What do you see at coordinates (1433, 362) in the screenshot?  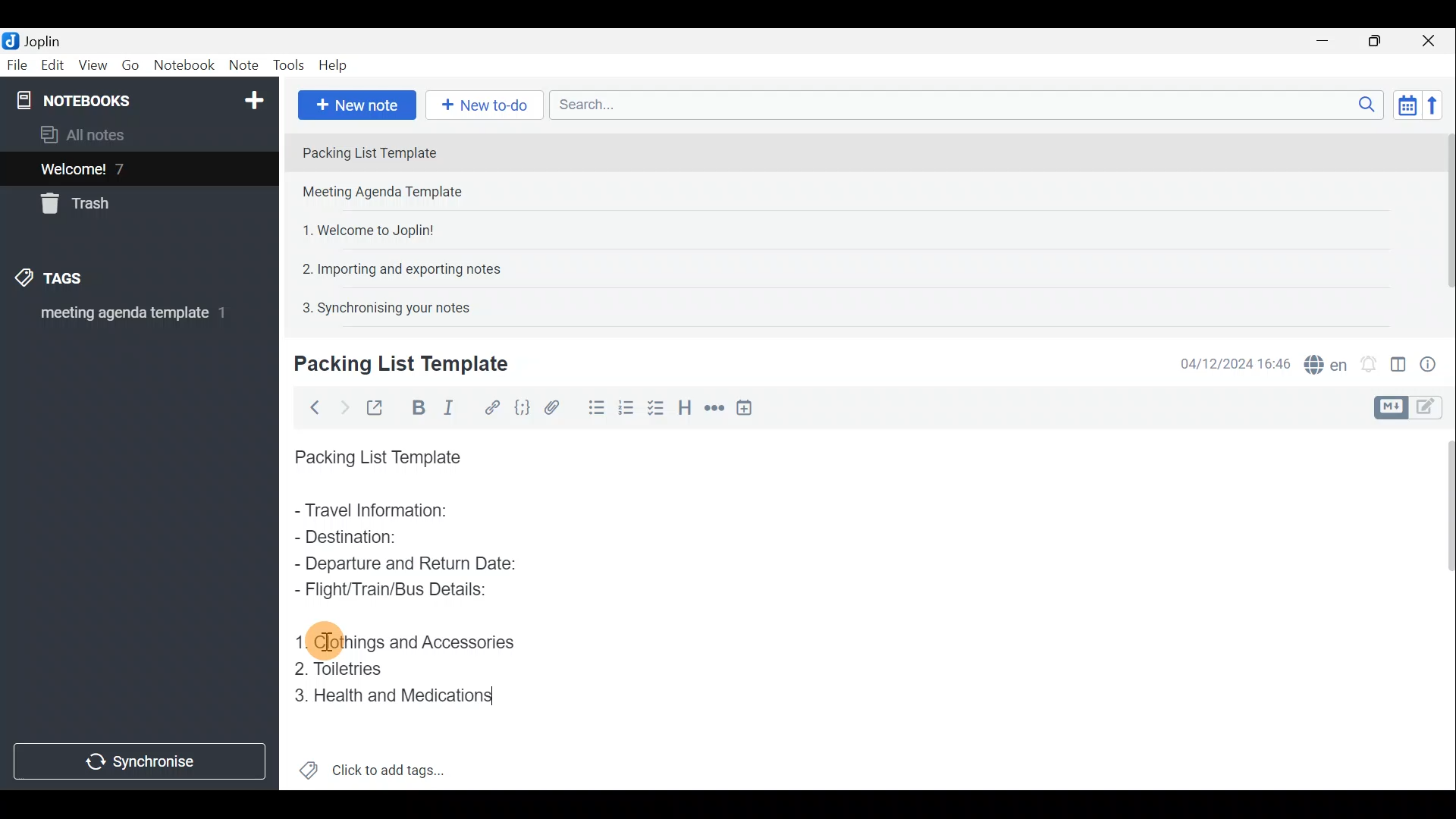 I see `Note properties` at bounding box center [1433, 362].